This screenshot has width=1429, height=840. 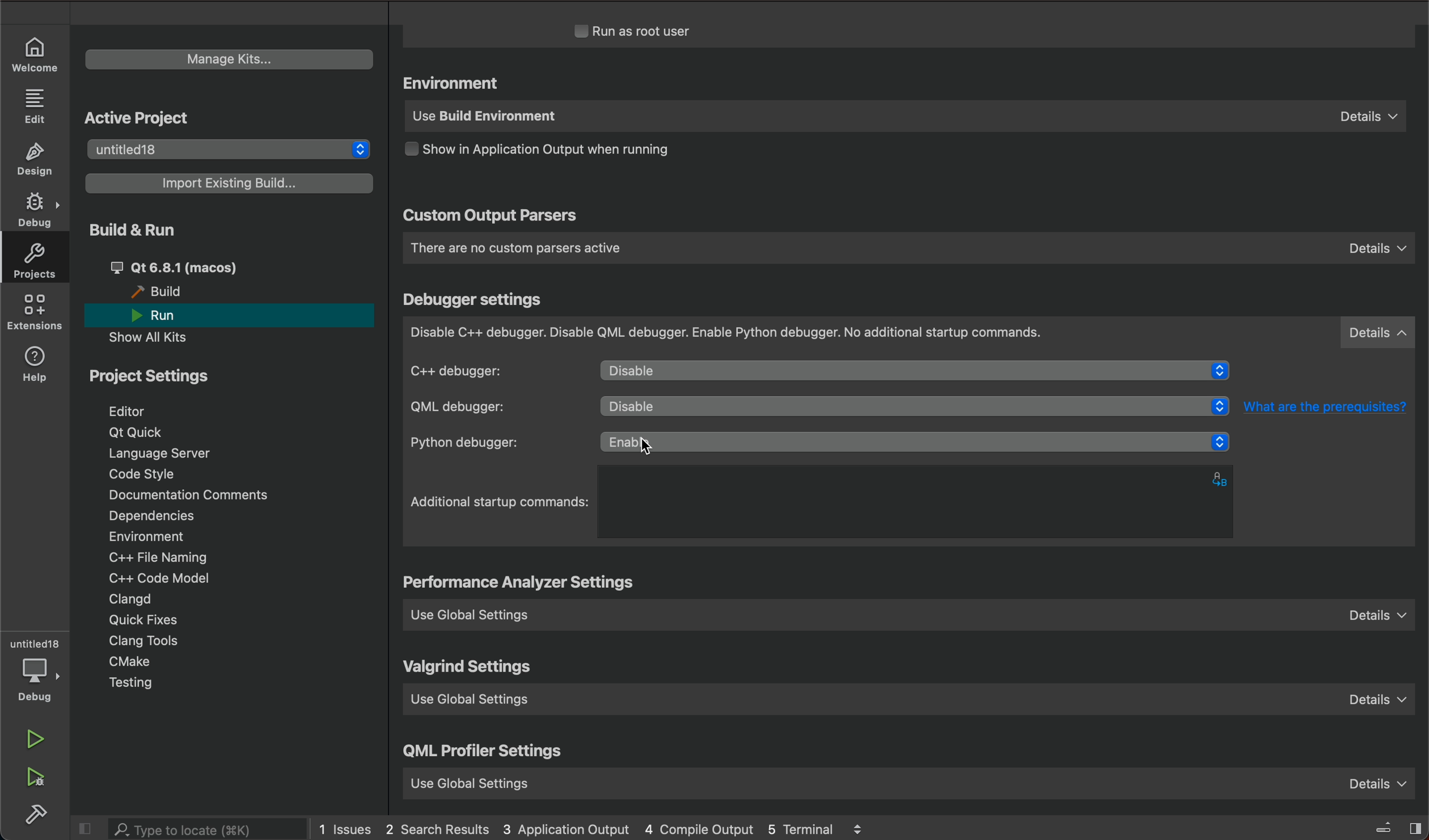 I want to click on run debug, so click(x=38, y=778).